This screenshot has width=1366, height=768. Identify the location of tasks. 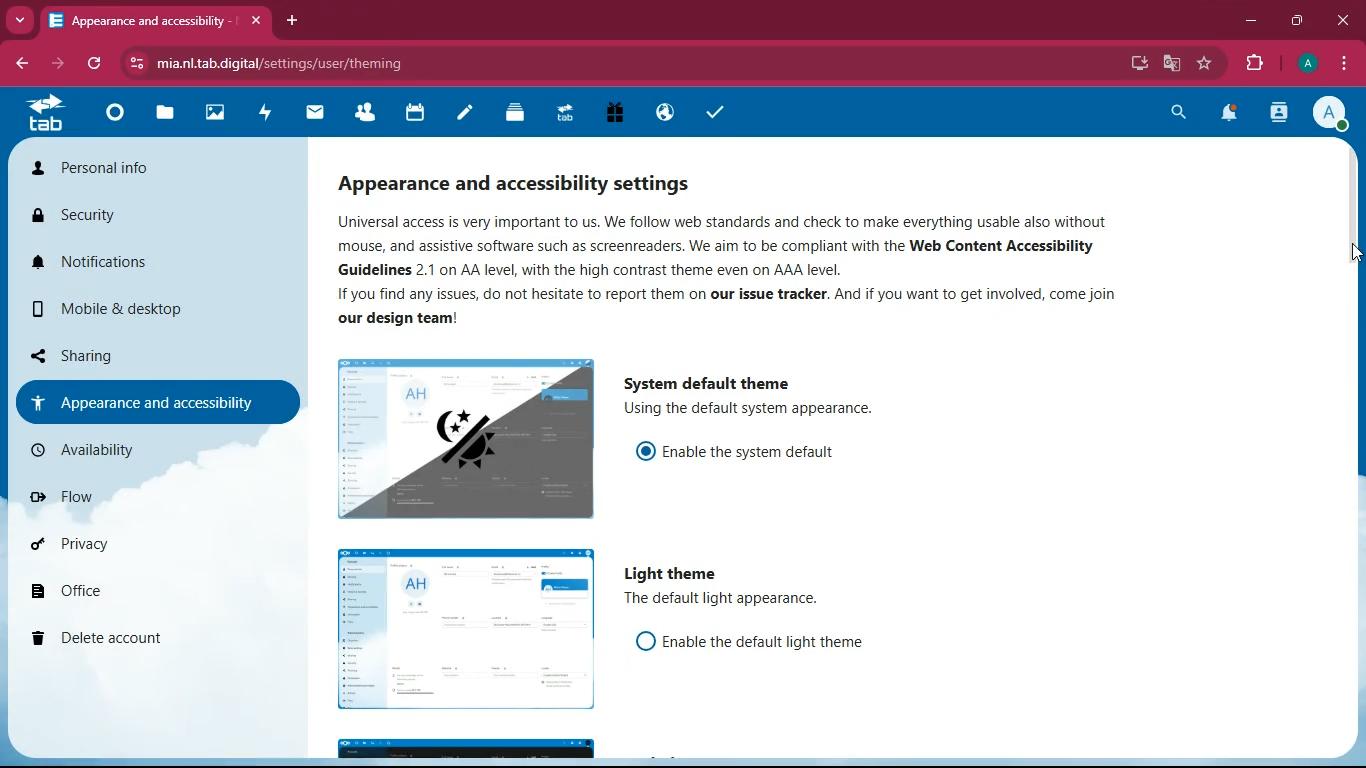
(720, 110).